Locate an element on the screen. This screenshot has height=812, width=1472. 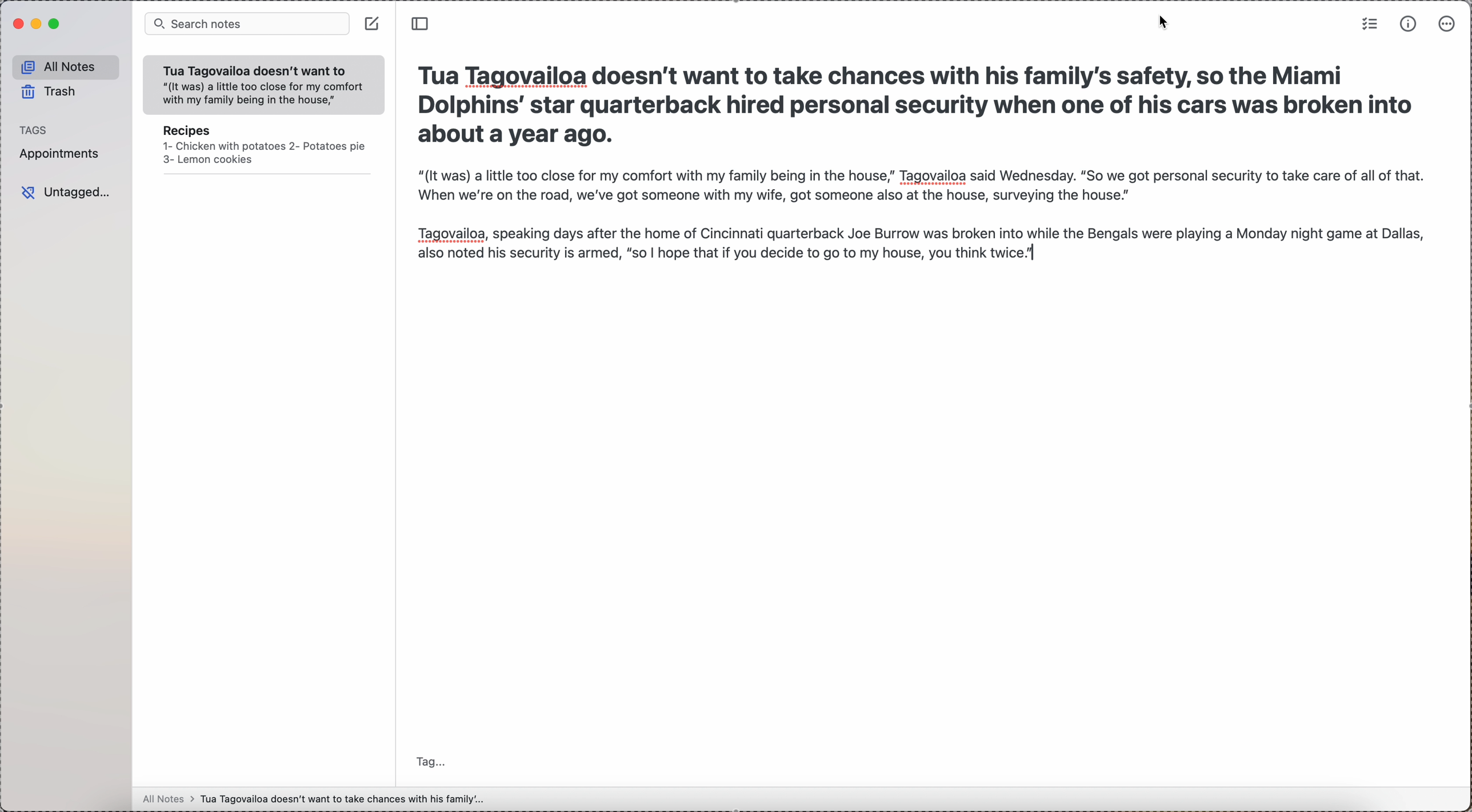
more options is located at coordinates (1447, 25).